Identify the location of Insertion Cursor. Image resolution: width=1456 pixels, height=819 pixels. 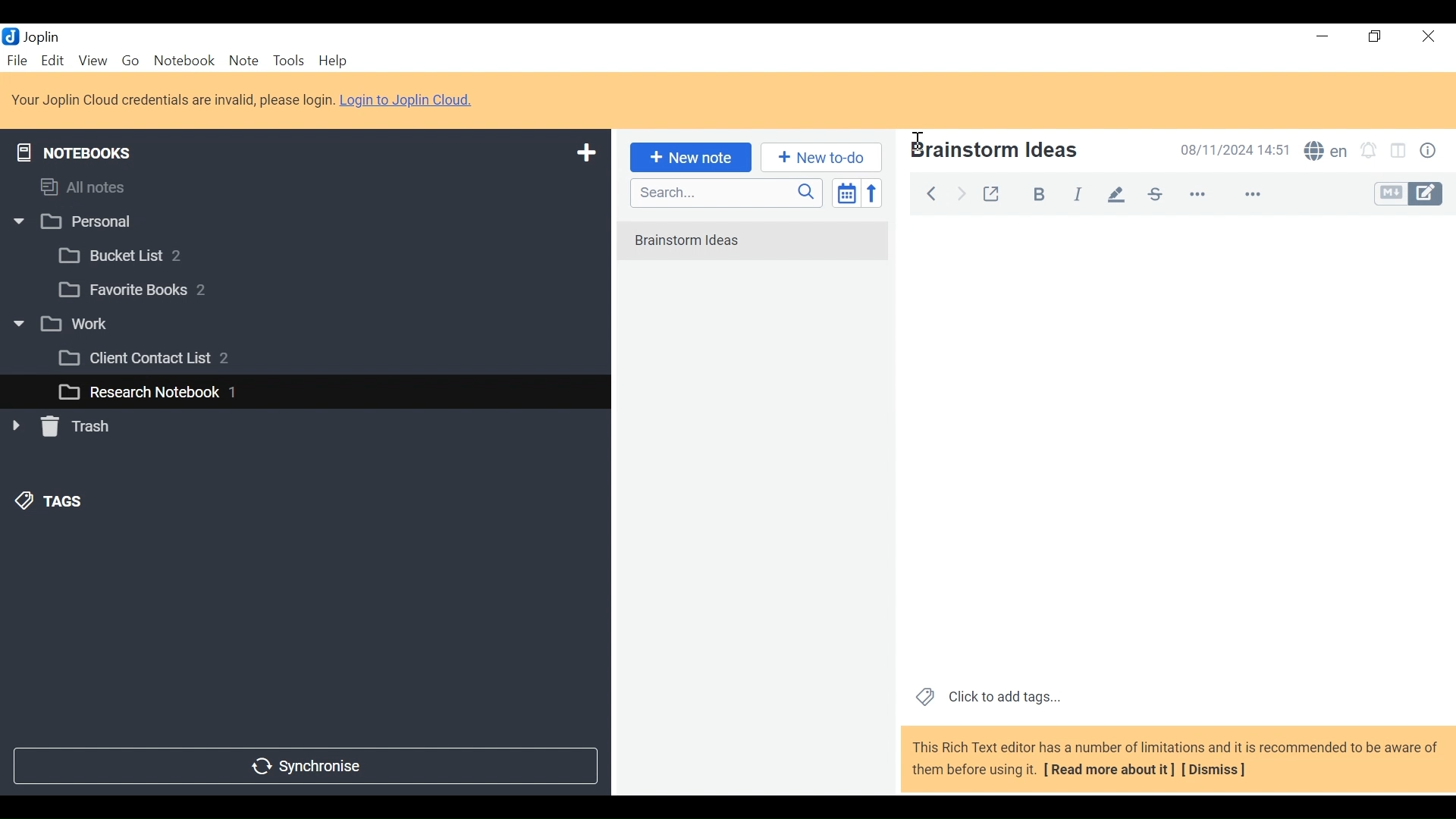
(917, 135).